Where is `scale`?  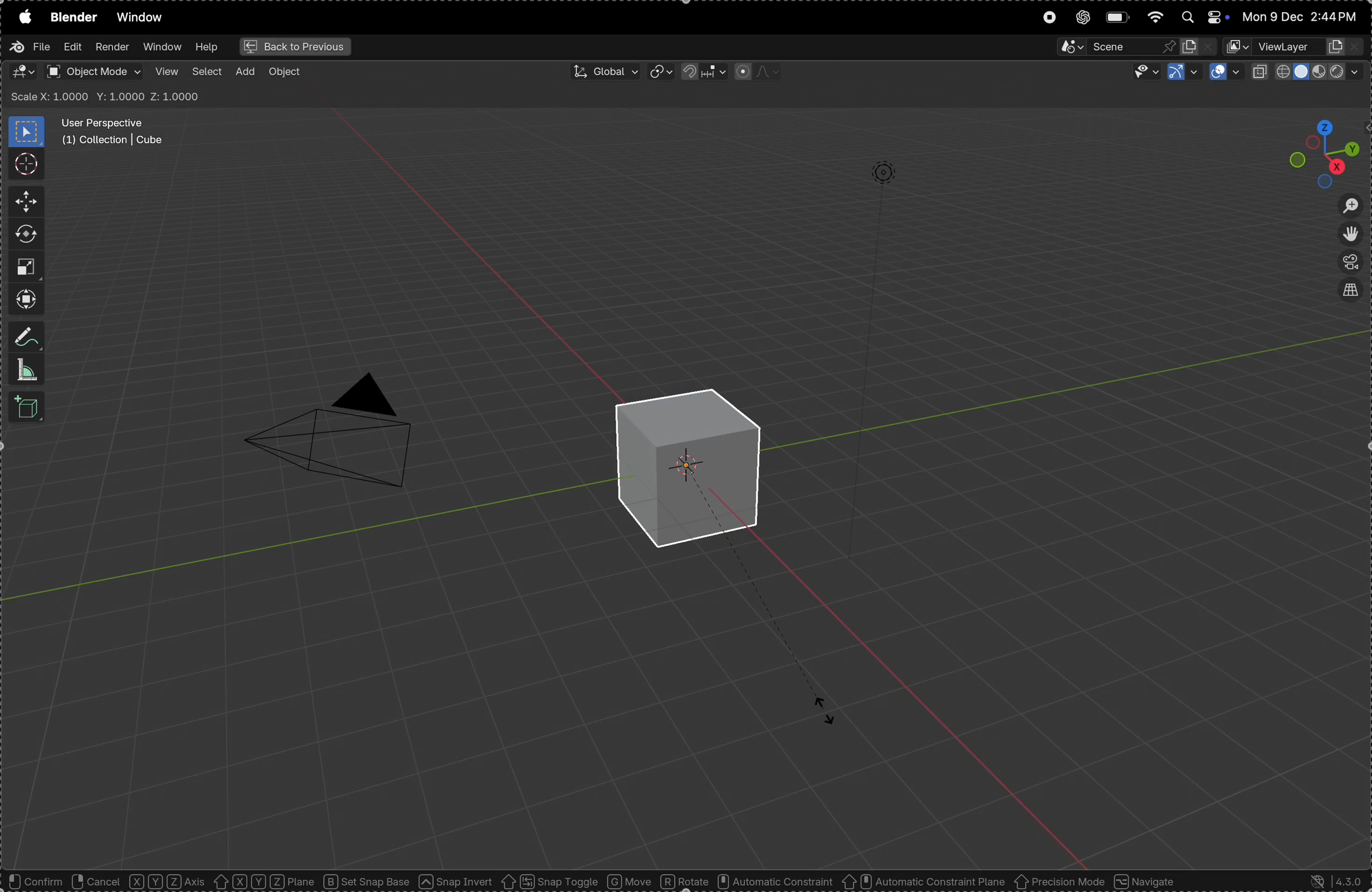 scale is located at coordinates (29, 267).